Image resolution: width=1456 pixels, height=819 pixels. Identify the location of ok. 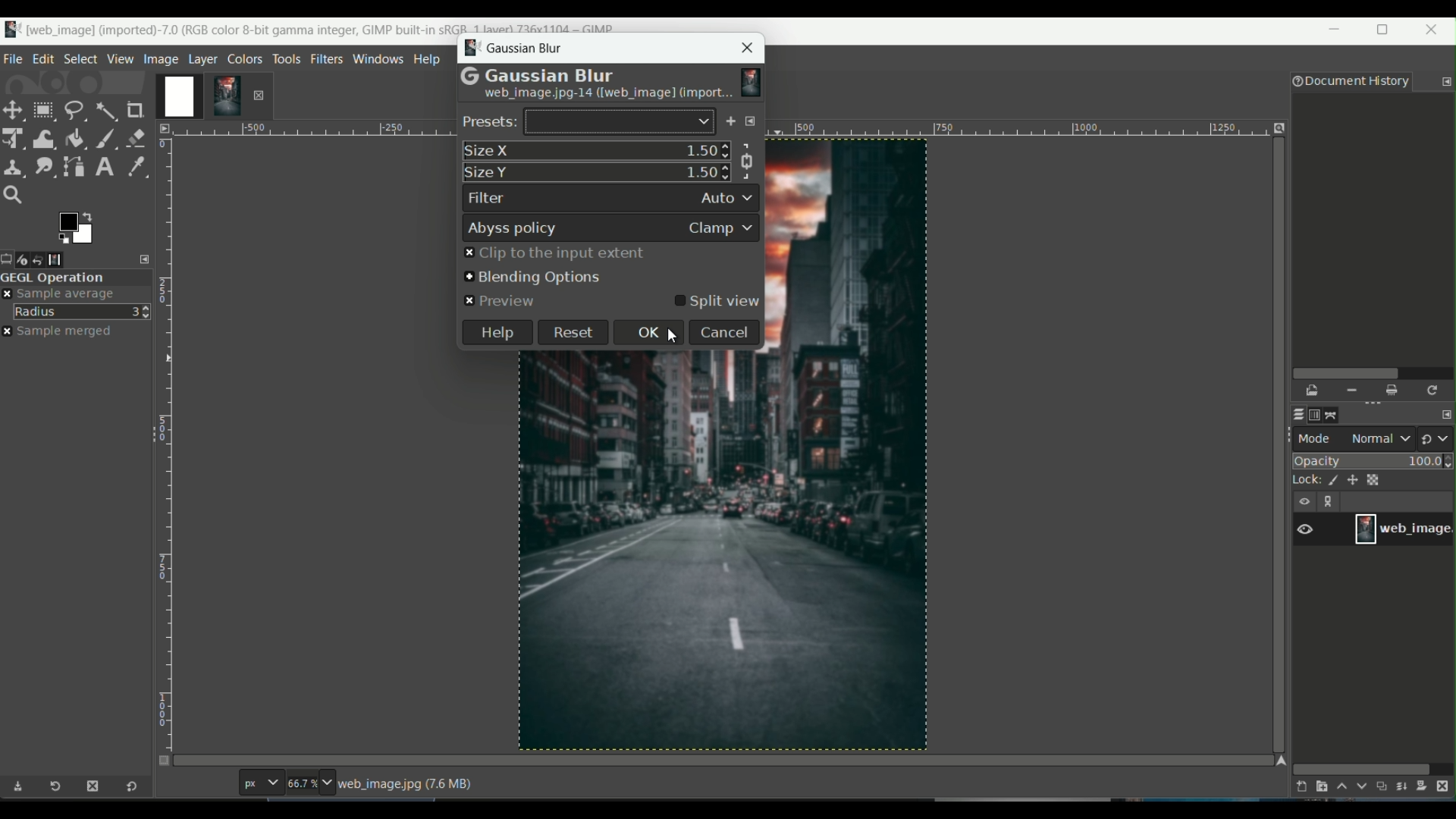
(645, 332).